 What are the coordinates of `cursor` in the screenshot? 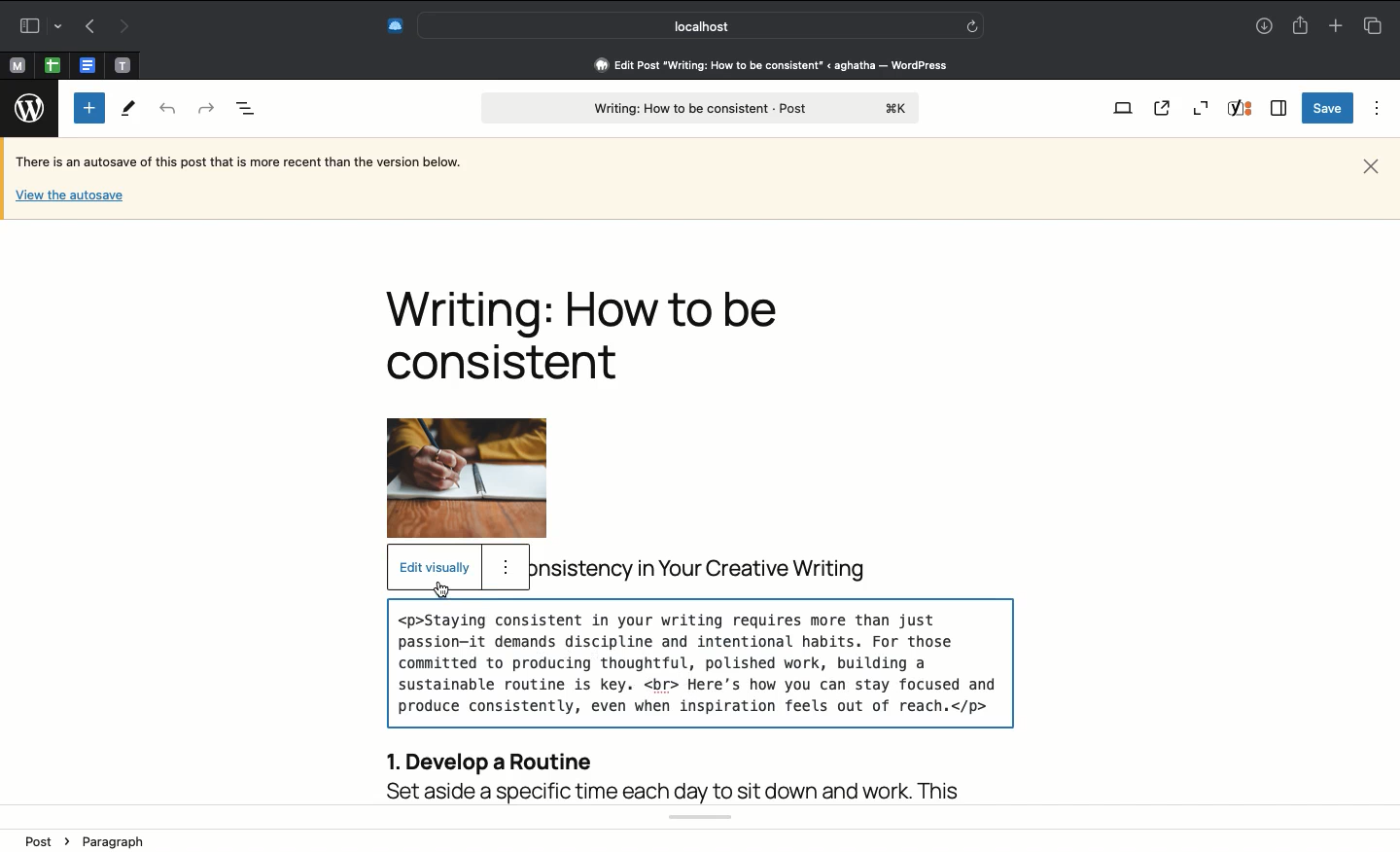 It's located at (442, 590).